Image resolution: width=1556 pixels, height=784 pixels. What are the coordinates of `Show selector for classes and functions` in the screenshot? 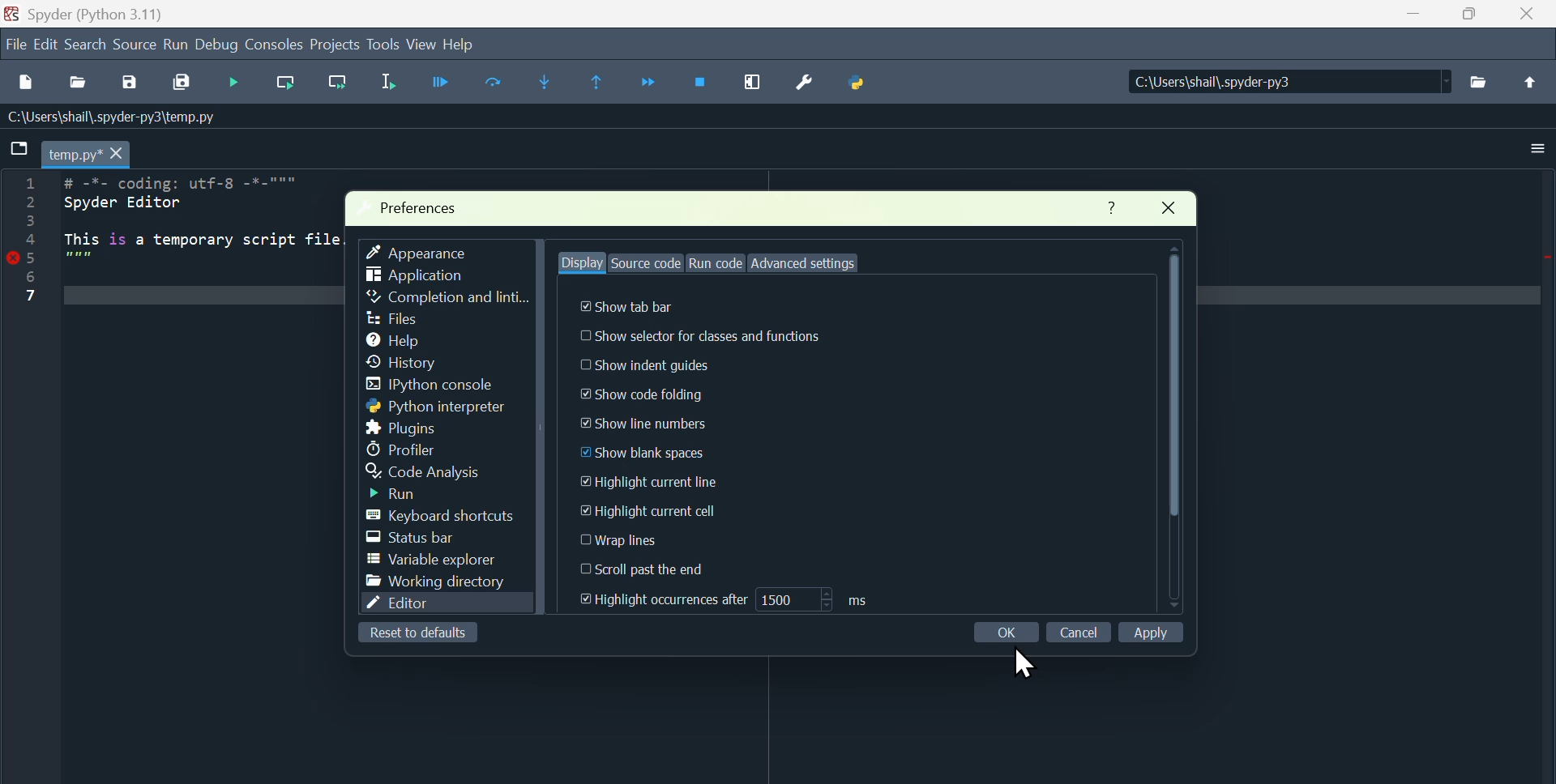 It's located at (700, 339).